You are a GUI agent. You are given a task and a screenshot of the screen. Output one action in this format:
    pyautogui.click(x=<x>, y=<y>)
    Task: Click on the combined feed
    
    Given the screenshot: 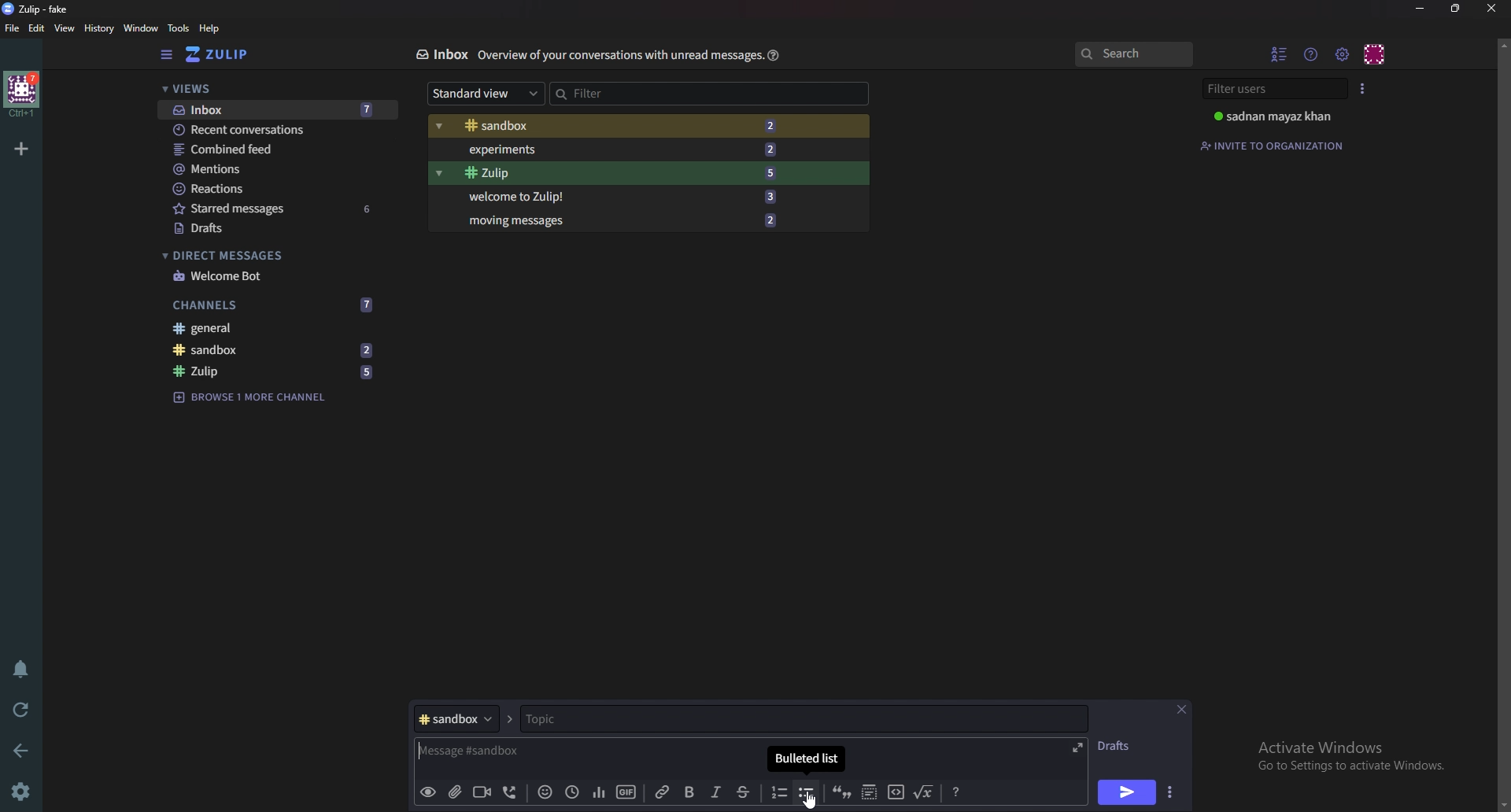 What is the action you would take?
    pyautogui.click(x=277, y=149)
    